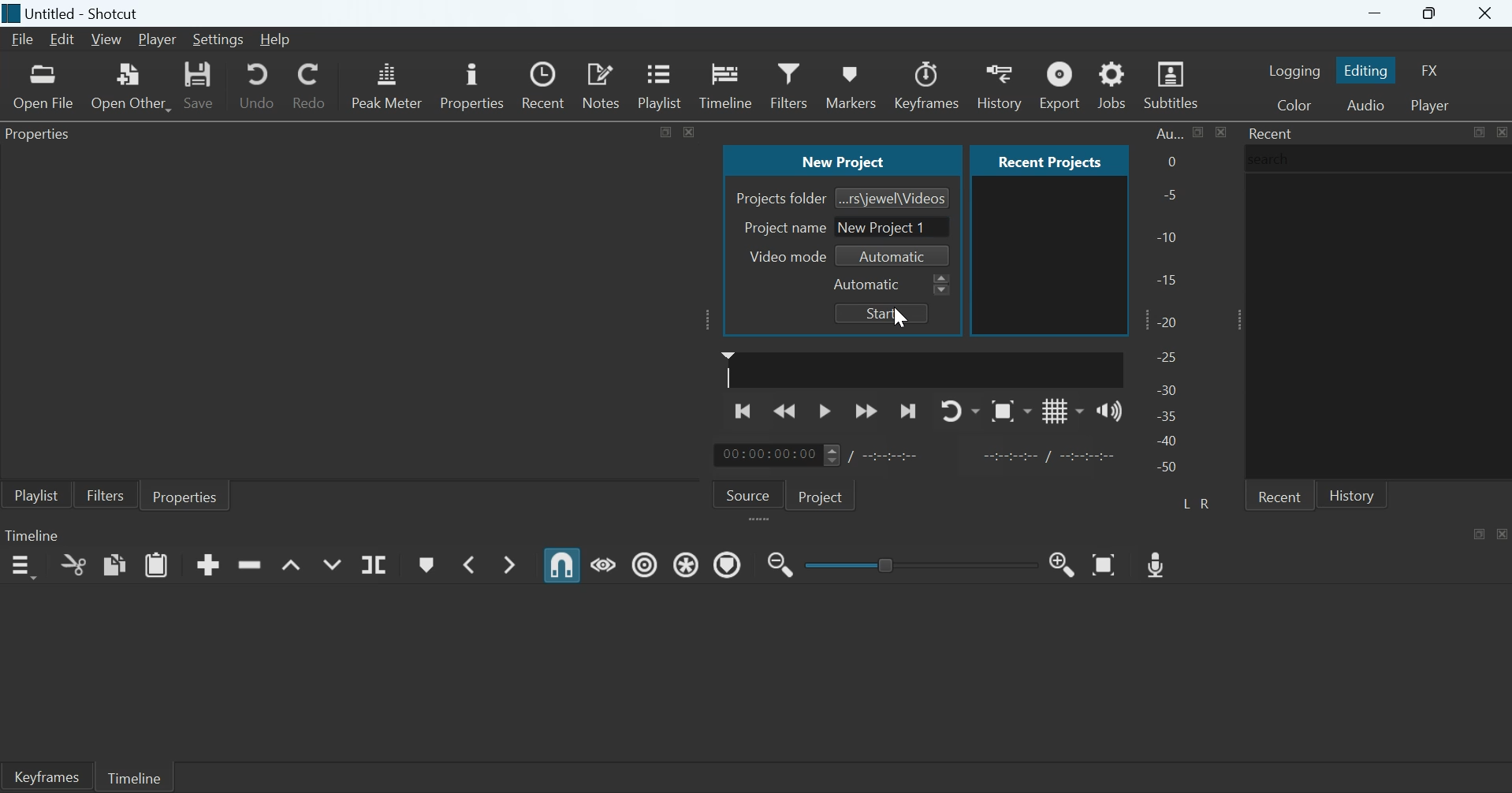 The height and width of the screenshot is (793, 1512). Describe the element at coordinates (960, 411) in the screenshot. I see `Toggle player looping` at that location.